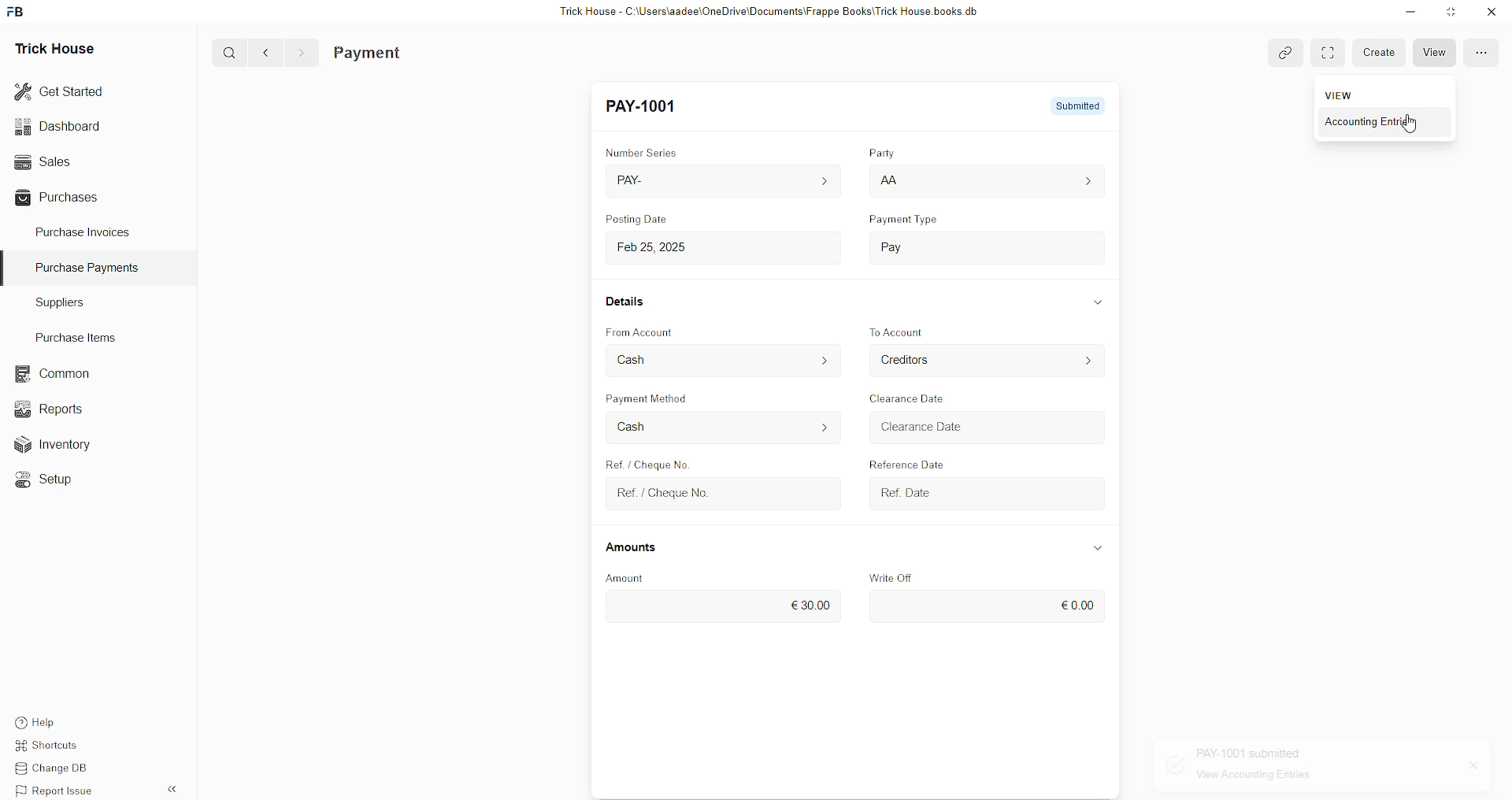  I want to click on Sales, so click(41, 160).